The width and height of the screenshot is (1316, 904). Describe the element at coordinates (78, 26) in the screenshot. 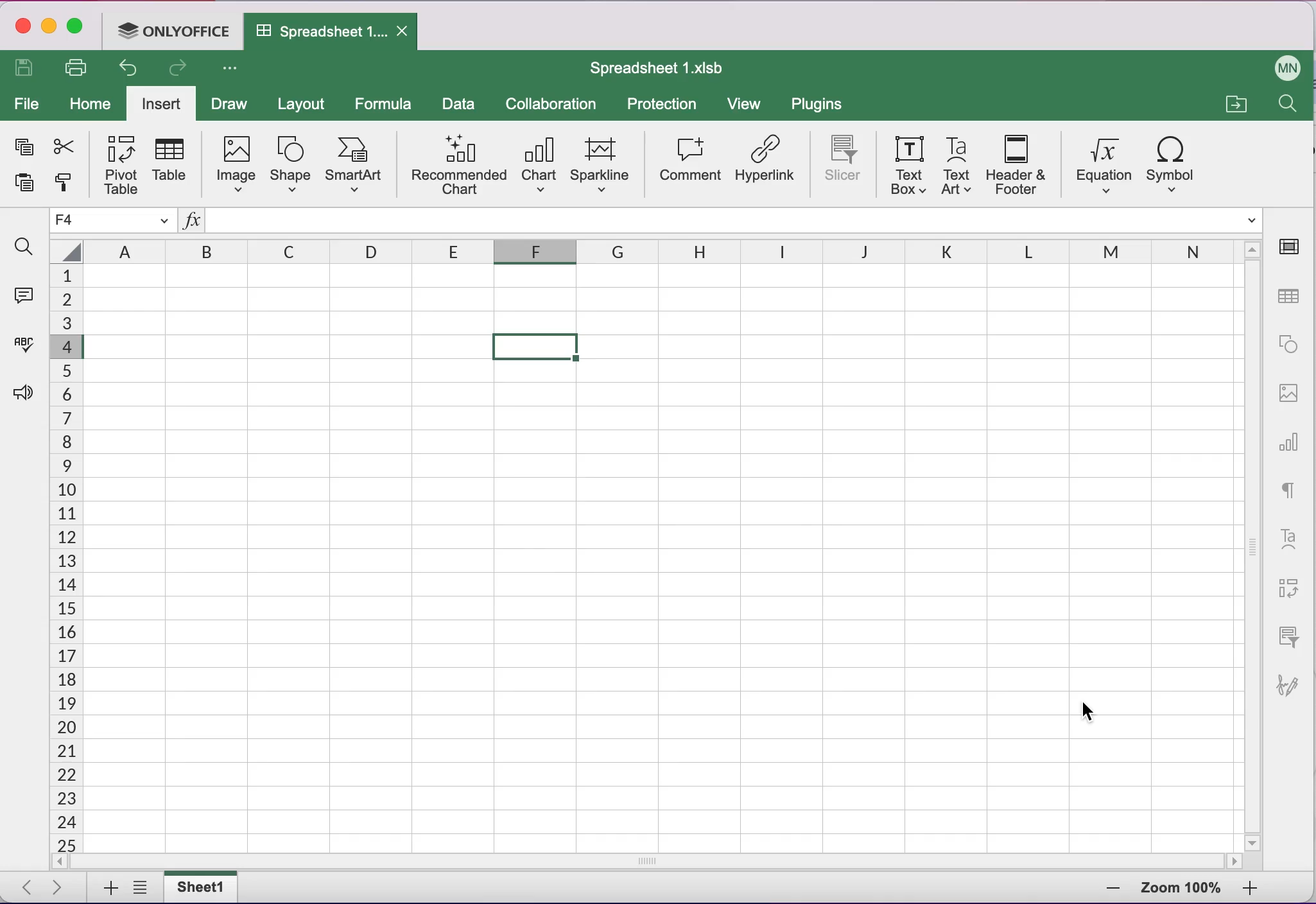

I see `maximize` at that location.